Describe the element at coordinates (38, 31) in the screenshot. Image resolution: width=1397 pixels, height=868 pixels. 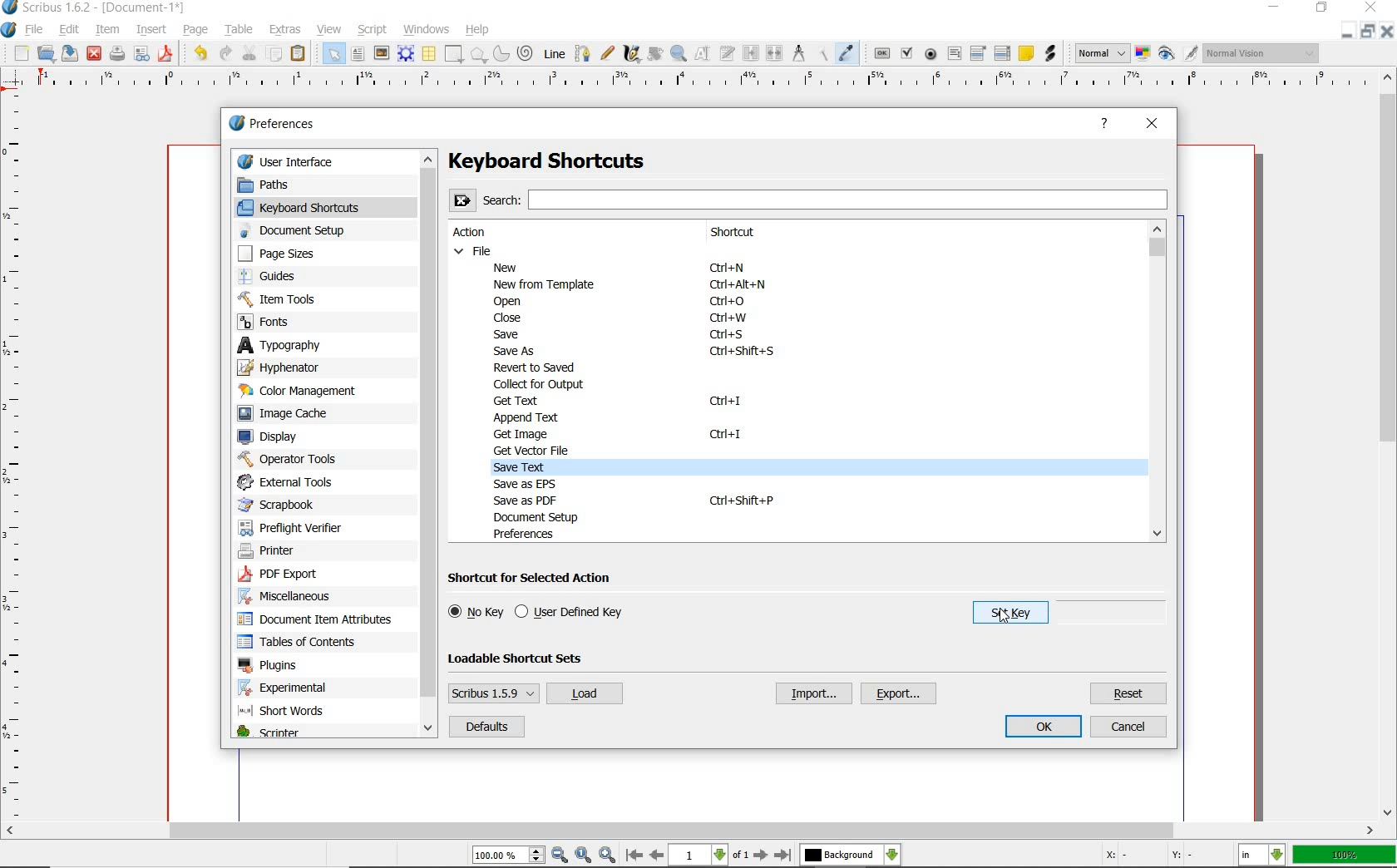
I see `file` at that location.